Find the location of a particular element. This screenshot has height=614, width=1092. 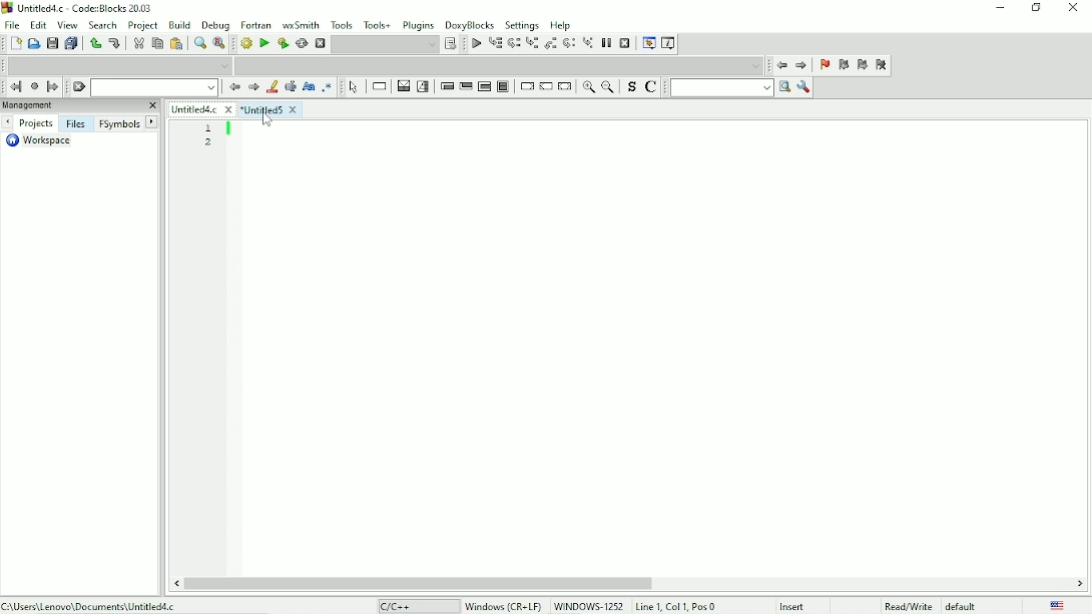

Replace is located at coordinates (218, 44).